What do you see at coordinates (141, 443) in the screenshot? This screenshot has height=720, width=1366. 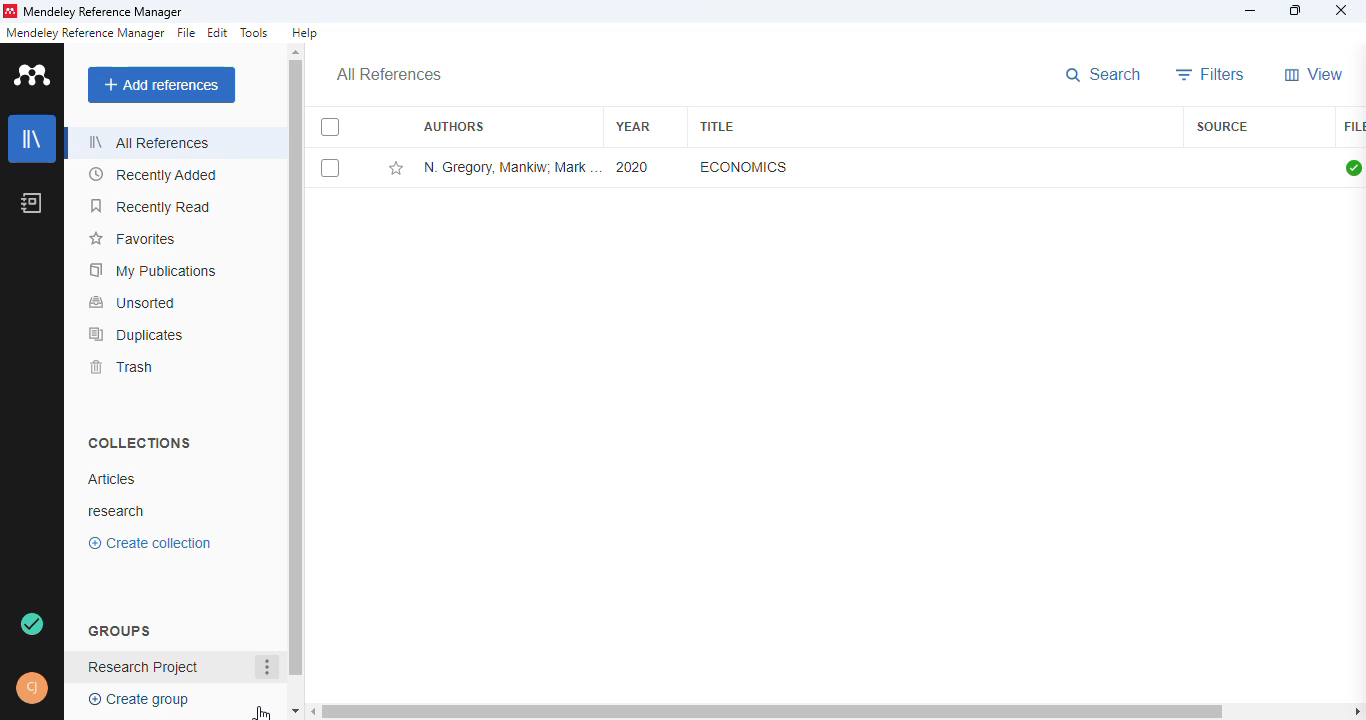 I see `collections` at bounding box center [141, 443].